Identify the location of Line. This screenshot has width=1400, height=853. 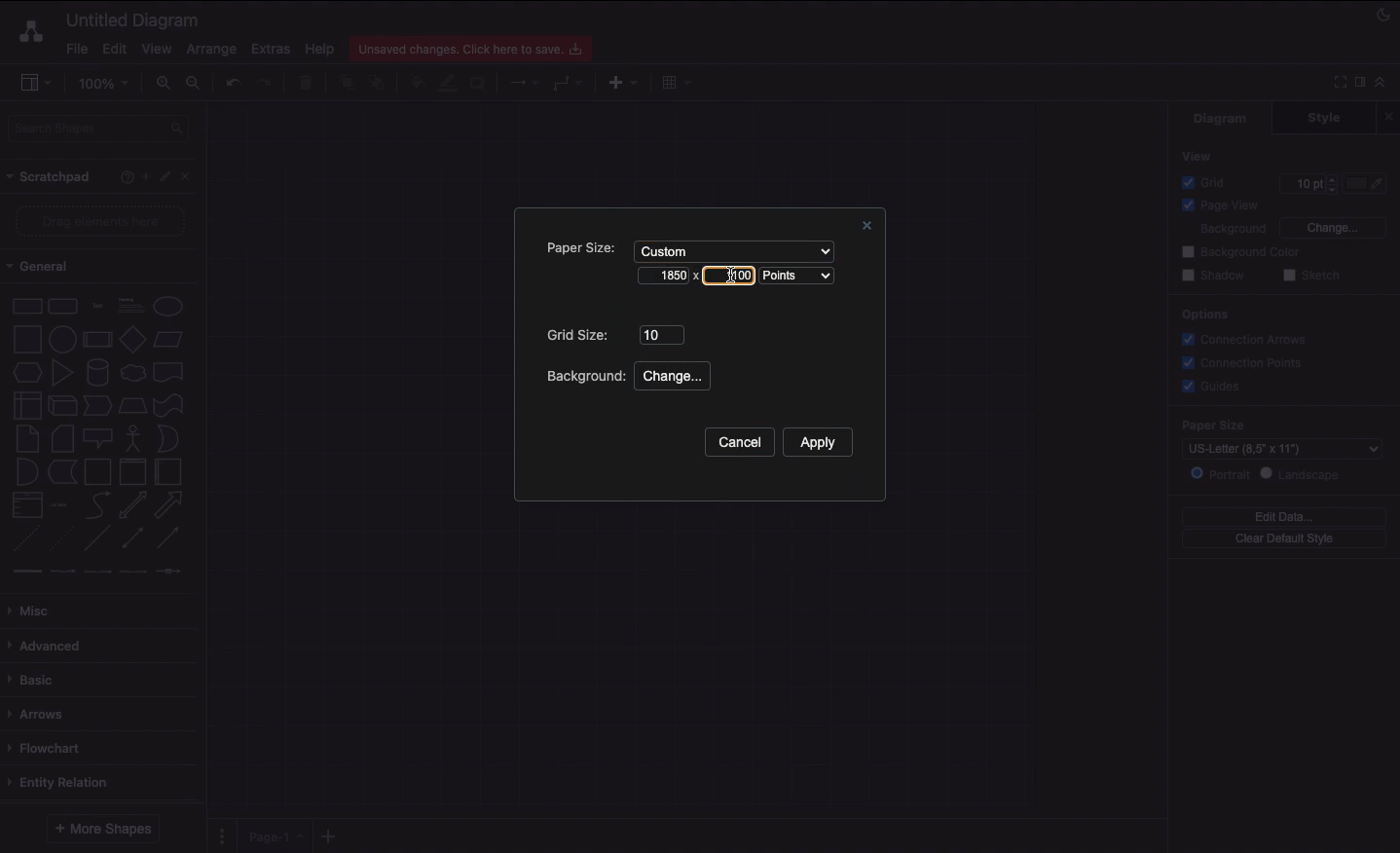
(97, 539).